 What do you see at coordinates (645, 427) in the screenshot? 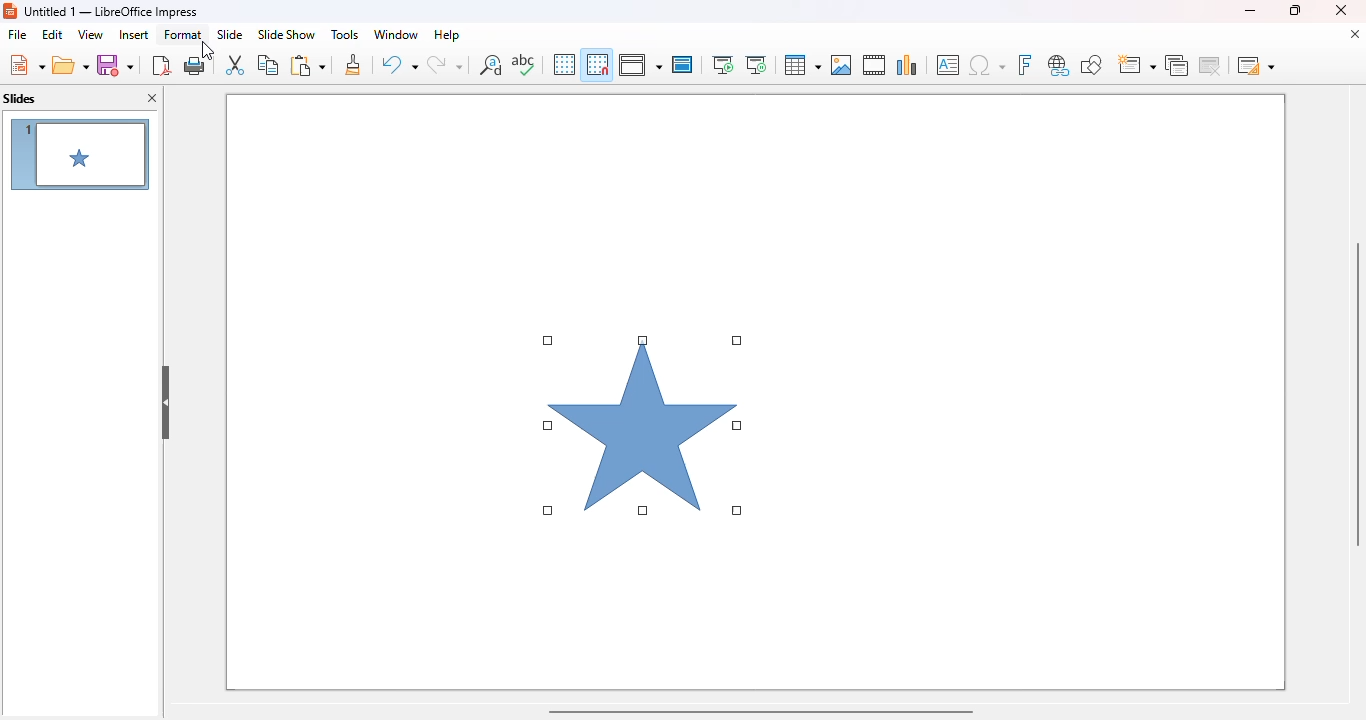
I see `shape inserted` at bounding box center [645, 427].